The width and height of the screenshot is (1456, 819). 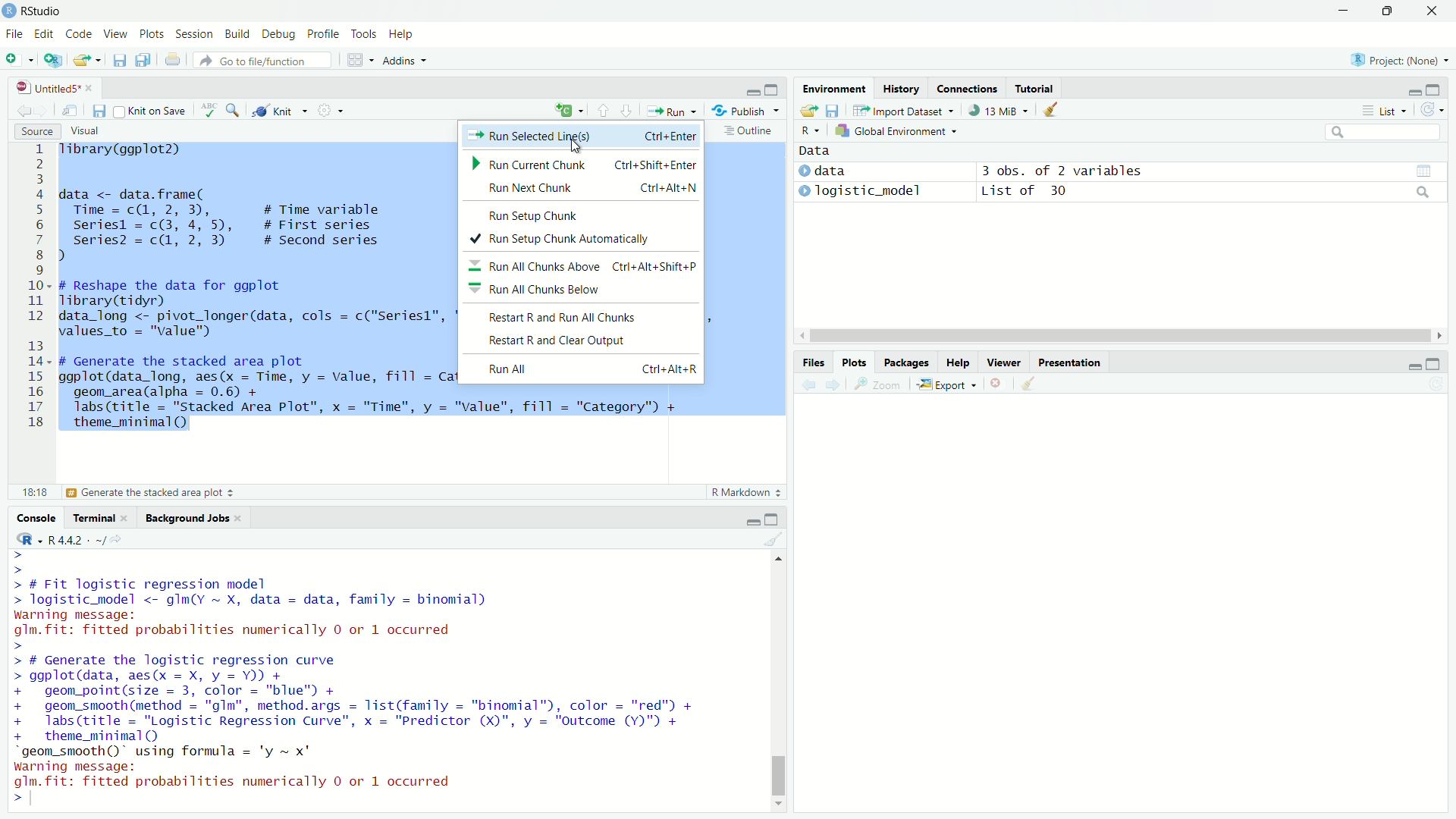 What do you see at coordinates (755, 132) in the screenshot?
I see `: Outline` at bounding box center [755, 132].